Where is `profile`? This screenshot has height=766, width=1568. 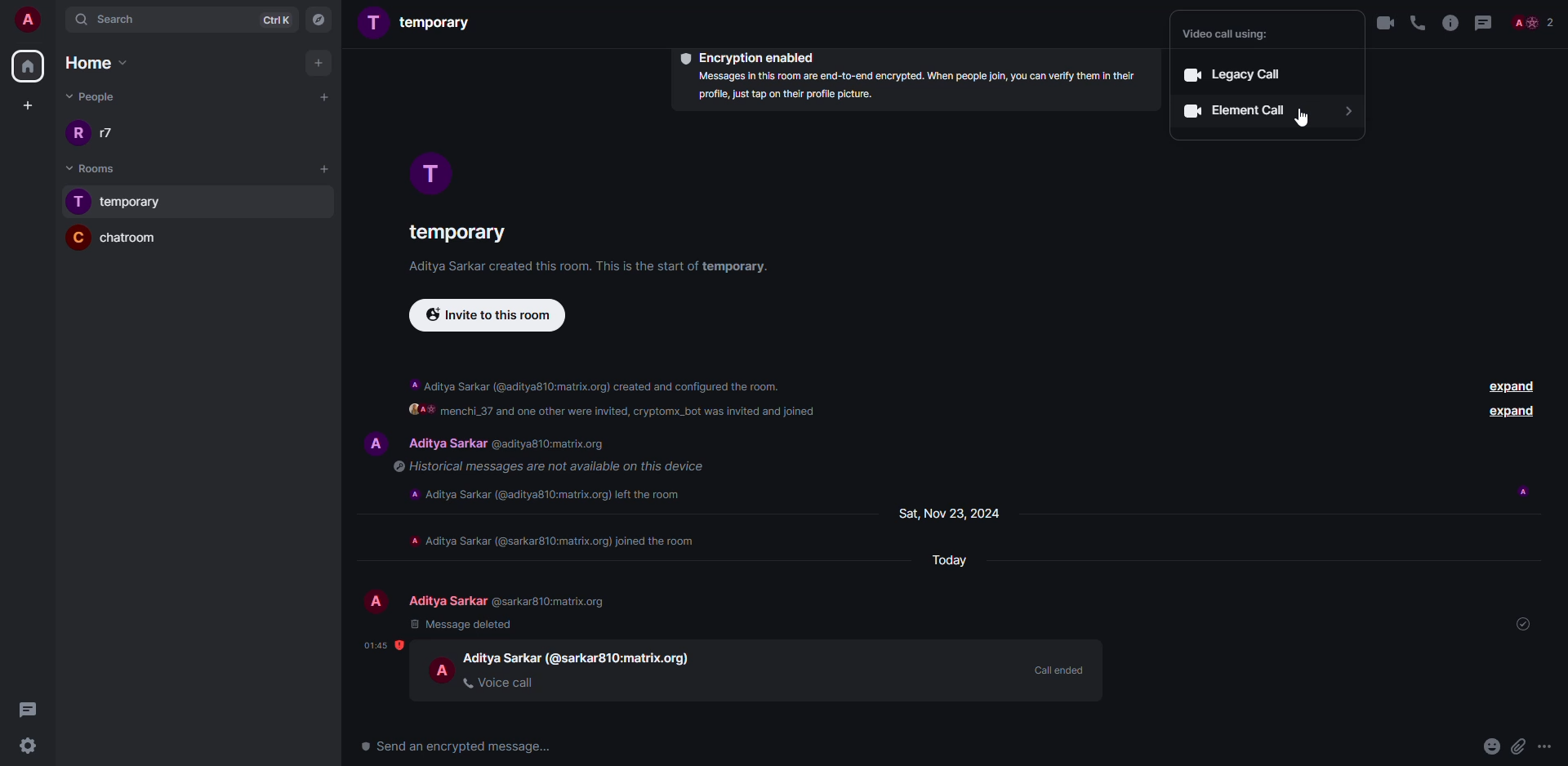 profile is located at coordinates (76, 238).